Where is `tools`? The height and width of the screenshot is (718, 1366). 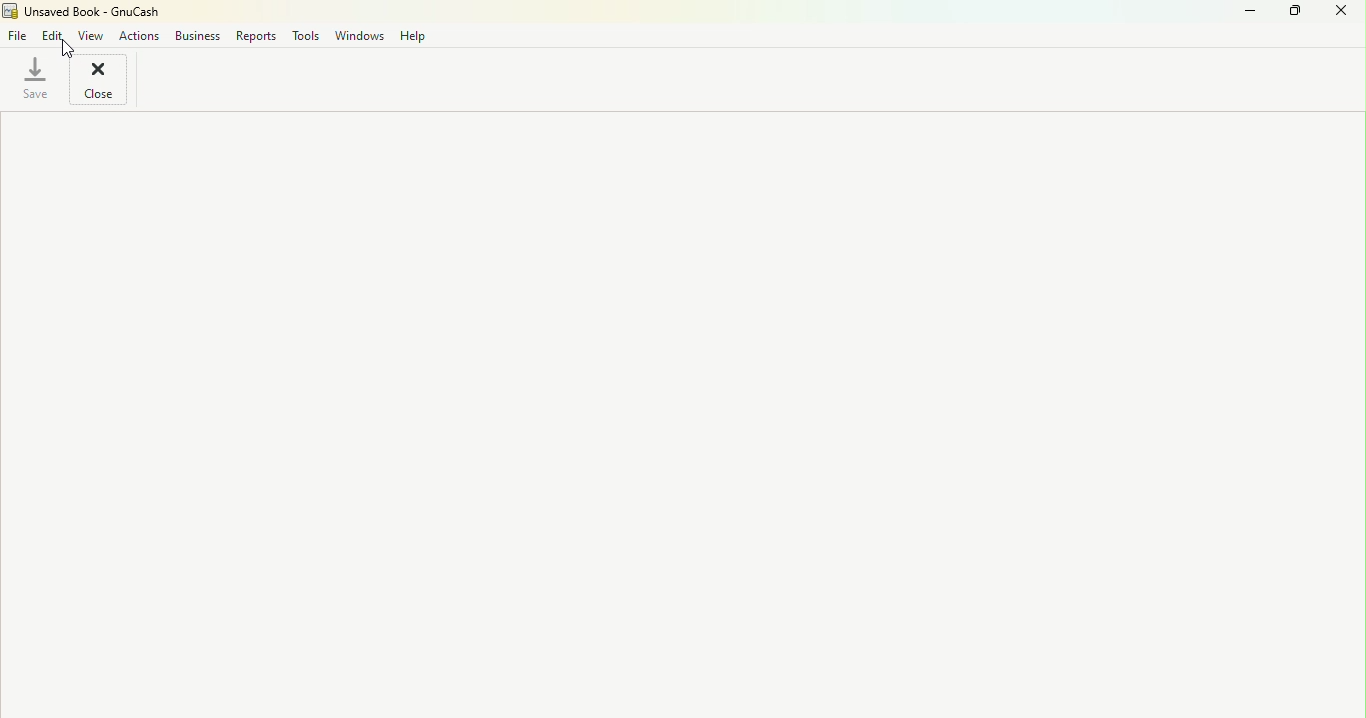
tools is located at coordinates (307, 38).